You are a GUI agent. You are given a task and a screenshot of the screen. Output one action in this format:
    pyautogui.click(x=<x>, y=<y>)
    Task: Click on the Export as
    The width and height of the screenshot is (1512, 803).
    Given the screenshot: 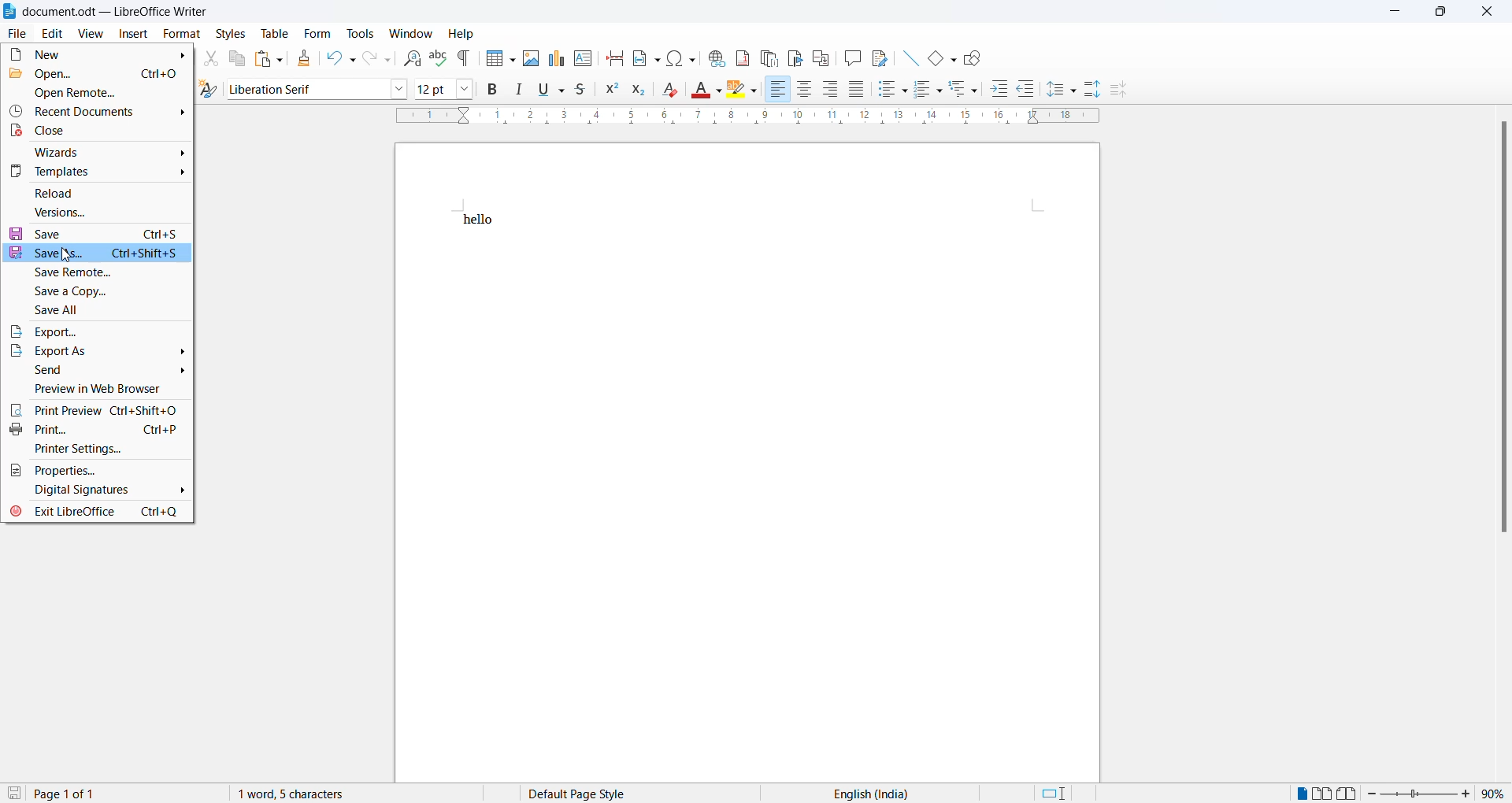 What is the action you would take?
    pyautogui.click(x=101, y=353)
    